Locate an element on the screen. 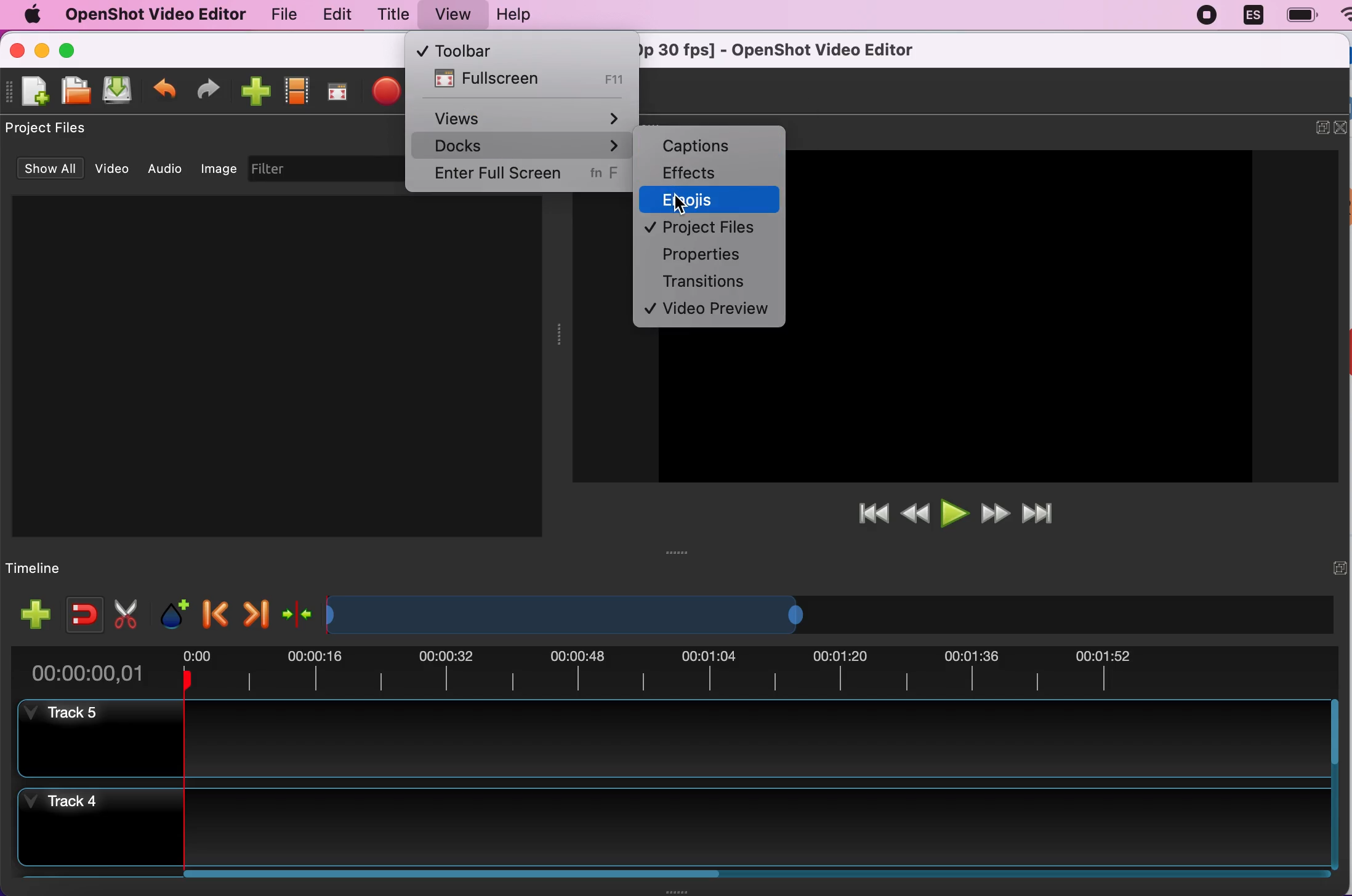 Image resolution: width=1352 pixels, height=896 pixels. show all is located at coordinates (52, 170).